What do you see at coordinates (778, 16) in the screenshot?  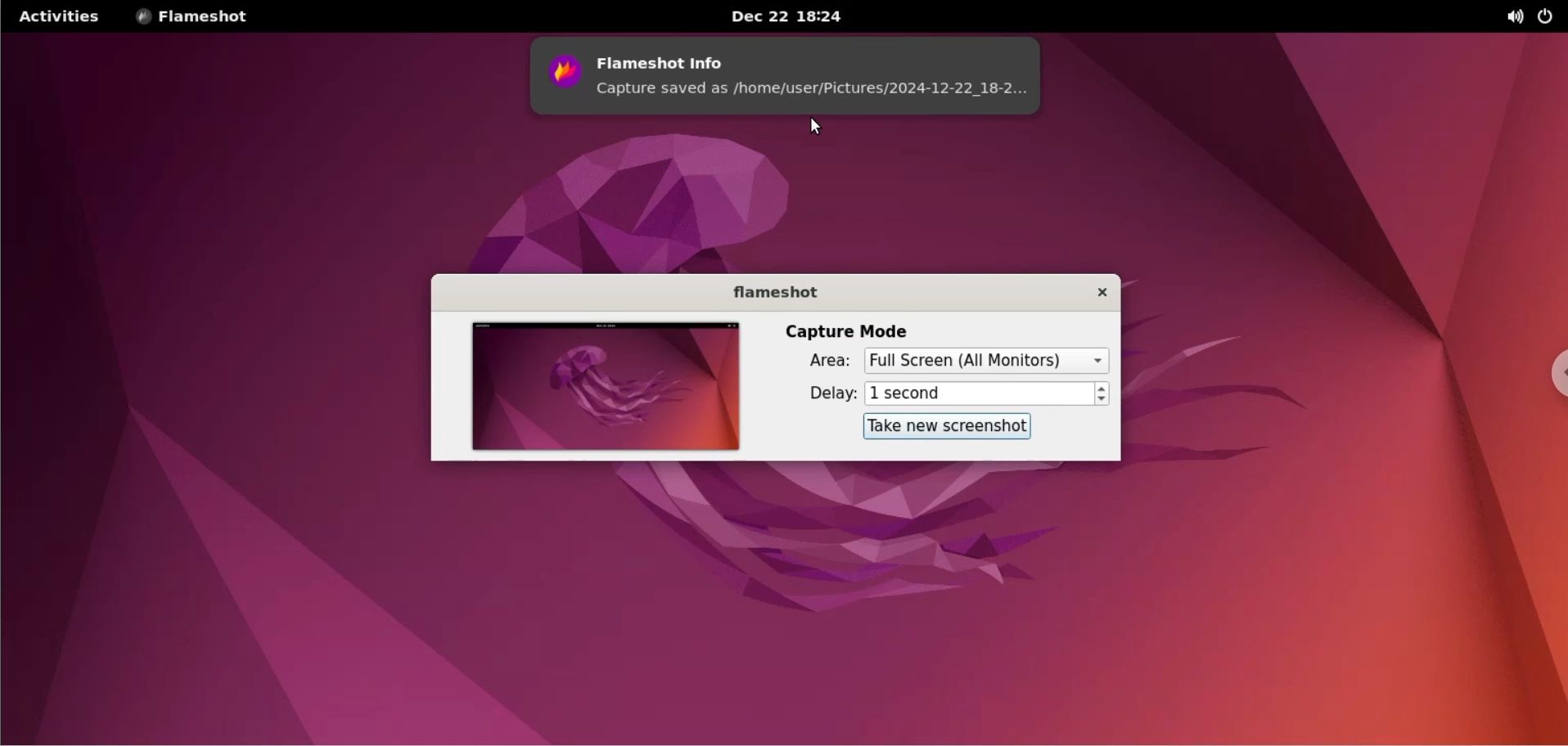 I see `Dec 22 18:24` at bounding box center [778, 16].